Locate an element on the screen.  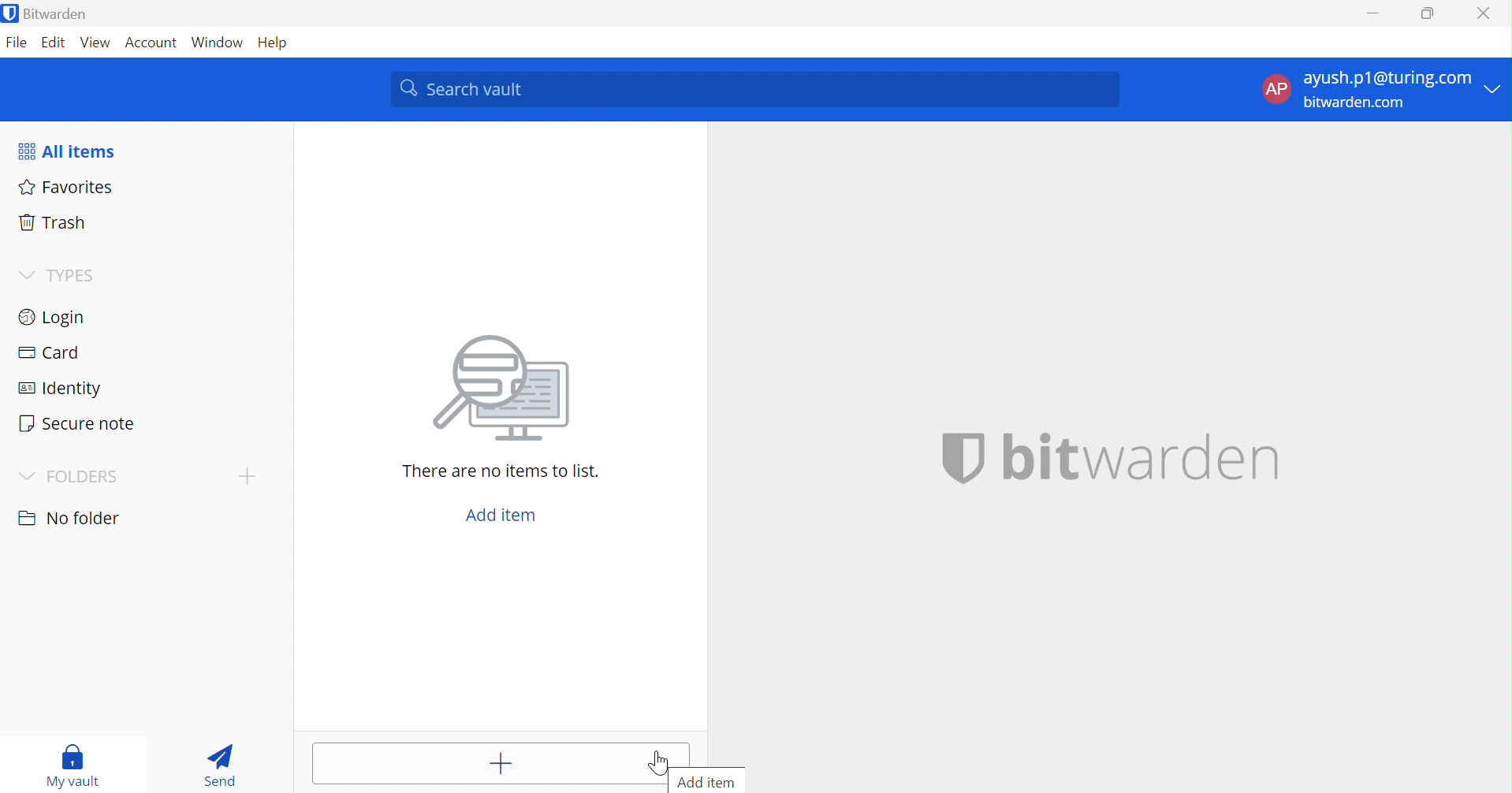
bitwarden.com is located at coordinates (1356, 103).